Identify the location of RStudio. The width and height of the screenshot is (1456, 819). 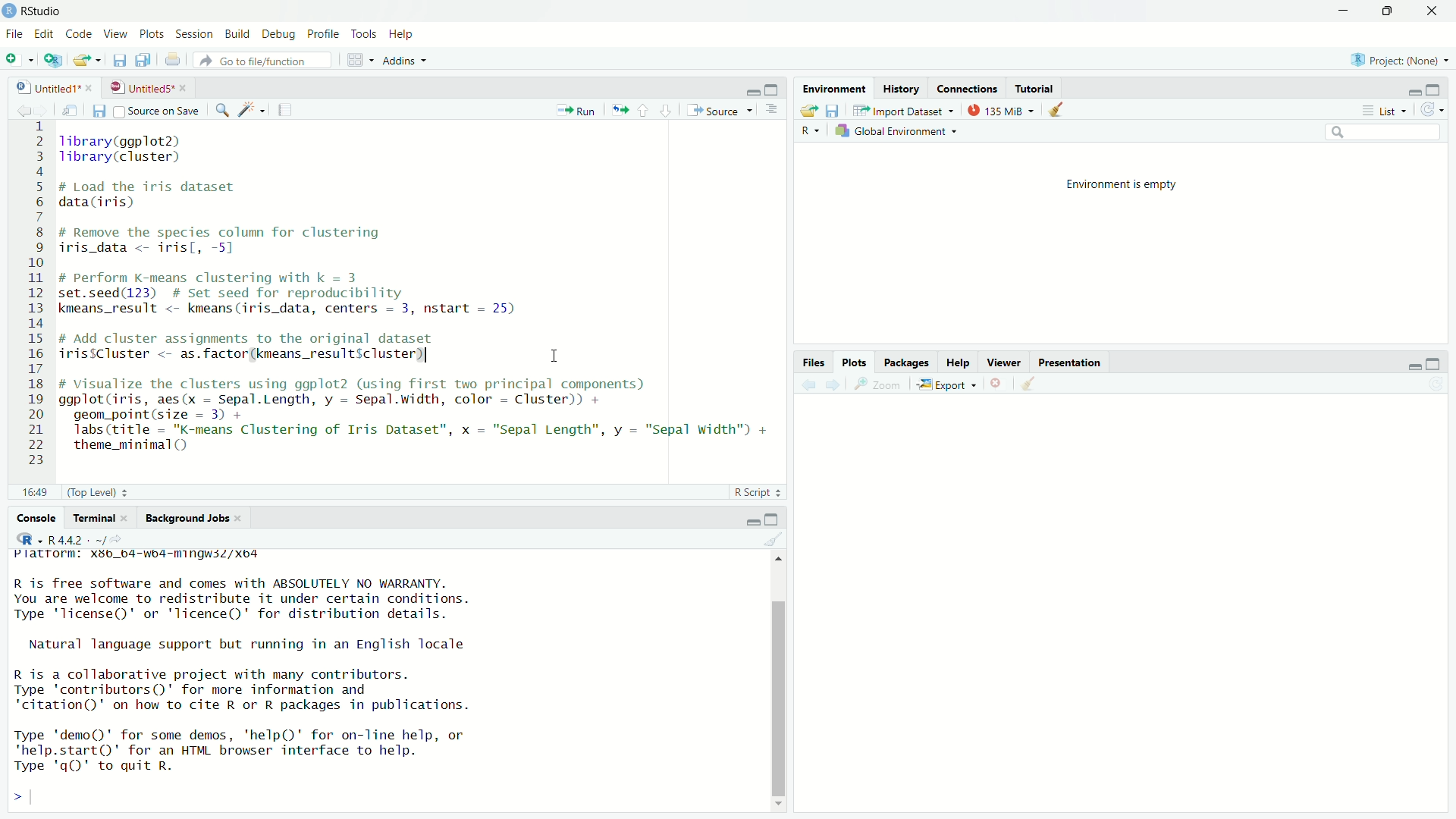
(42, 9).